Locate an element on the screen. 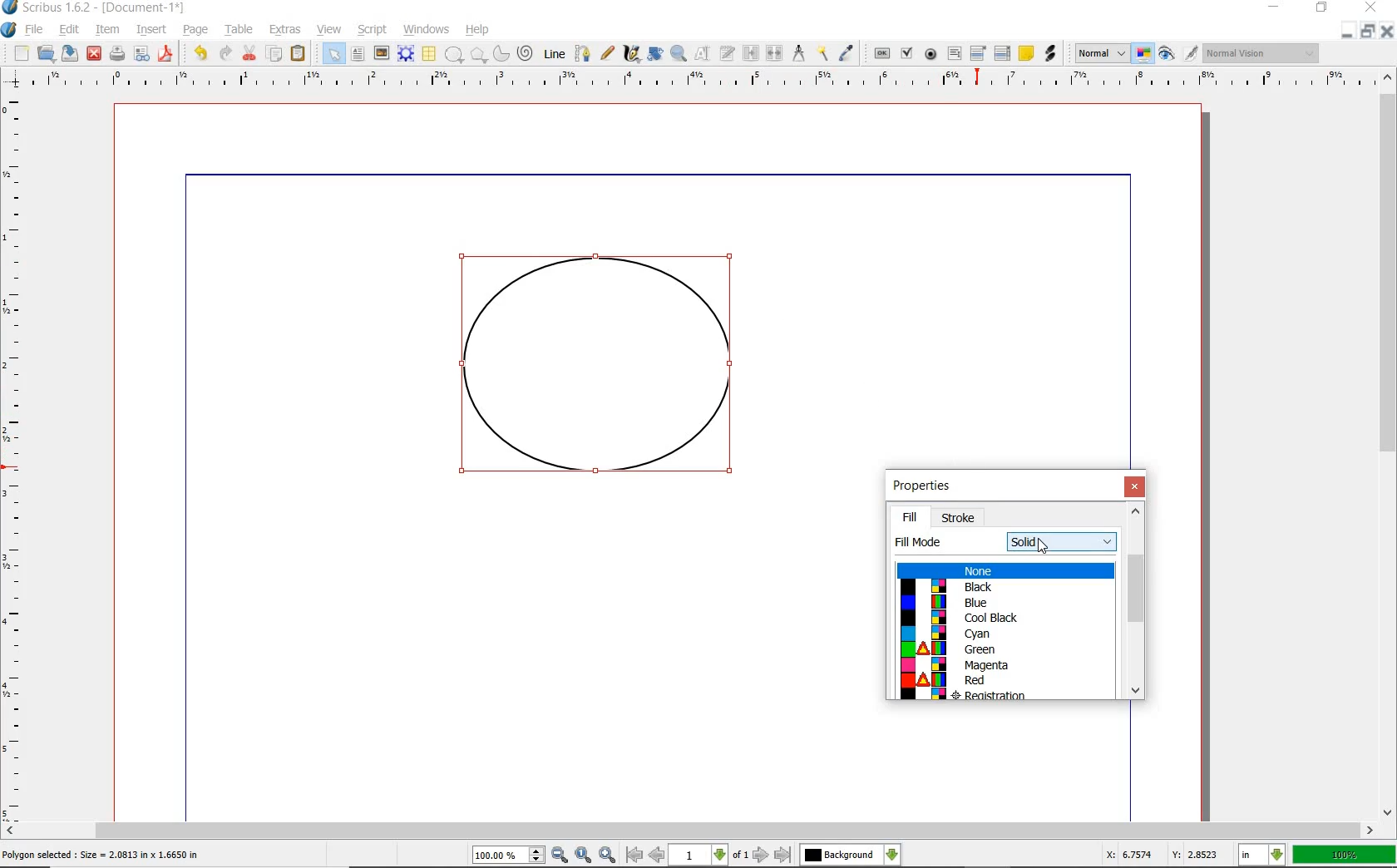 This screenshot has height=868, width=1397. PRINT is located at coordinates (117, 55).